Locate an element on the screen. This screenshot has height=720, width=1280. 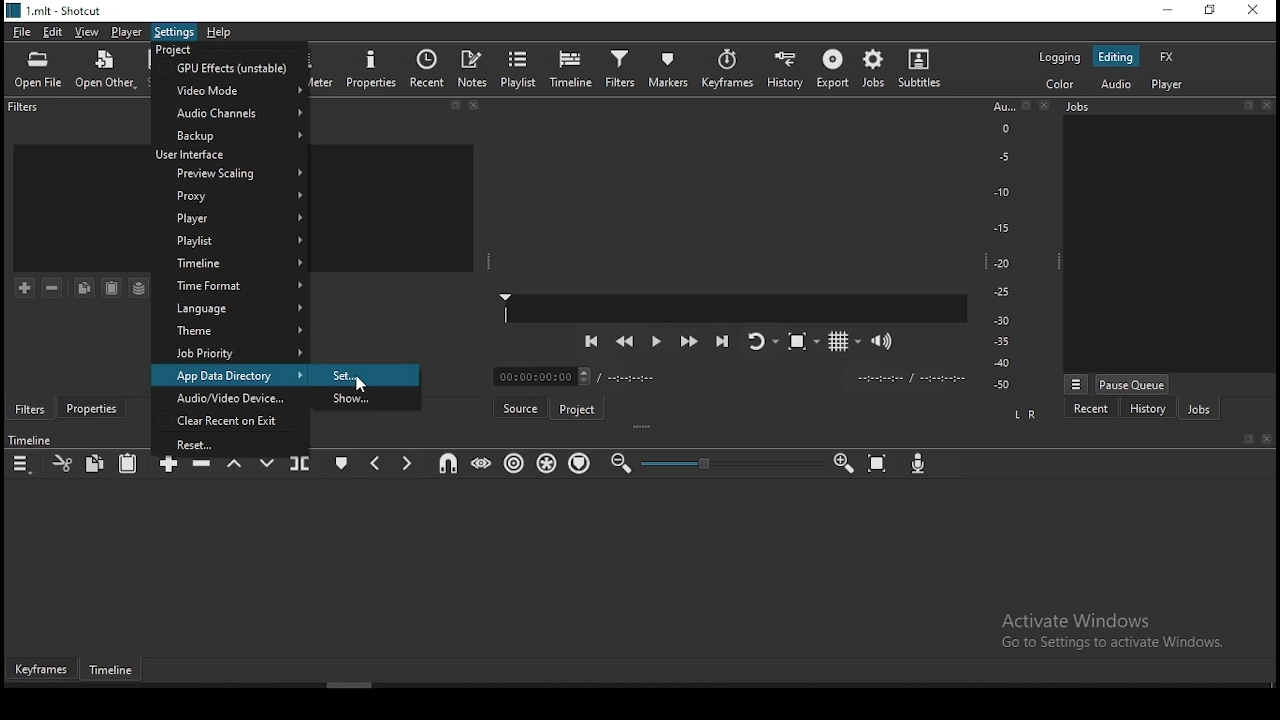
ripple delete is located at coordinates (202, 465).